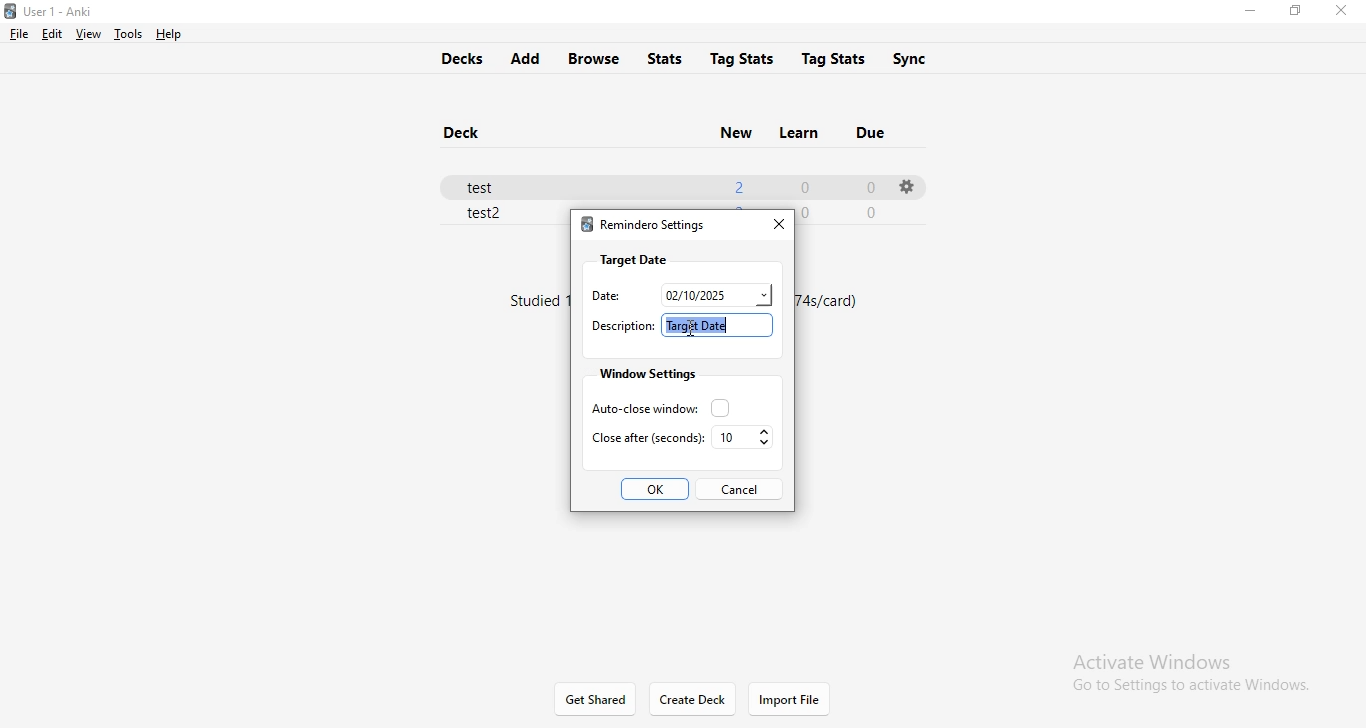  Describe the element at coordinates (836, 56) in the screenshot. I see `tags stats` at that location.